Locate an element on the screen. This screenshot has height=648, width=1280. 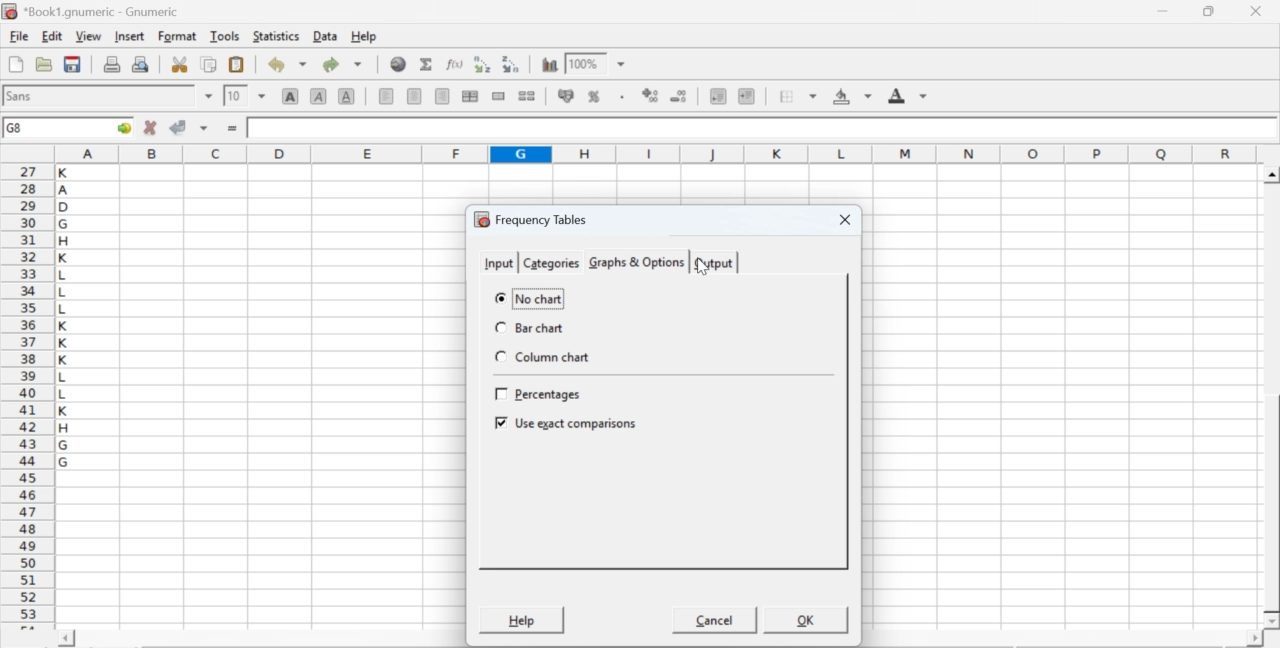
drop down is located at coordinates (210, 96).